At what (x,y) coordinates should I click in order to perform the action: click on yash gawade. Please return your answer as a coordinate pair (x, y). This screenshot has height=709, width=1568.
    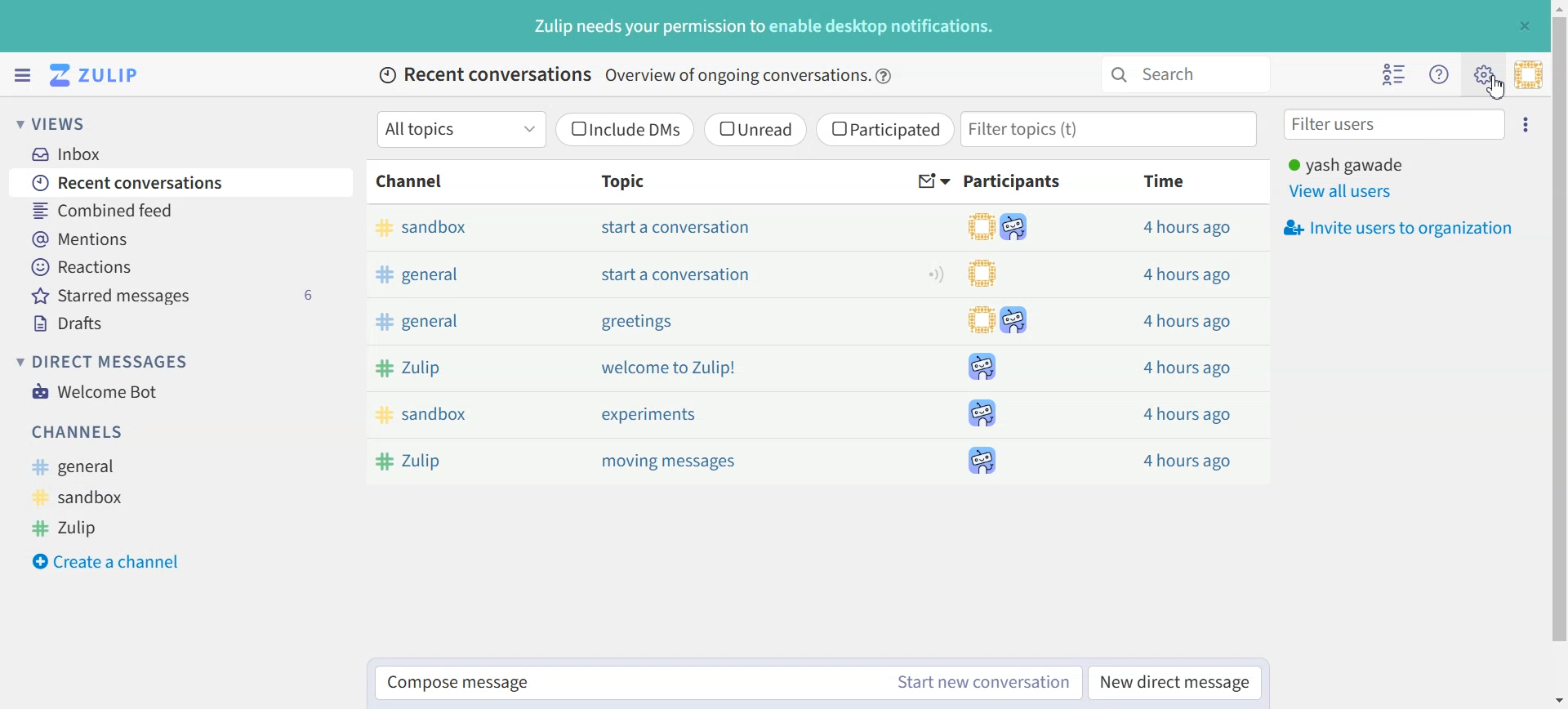
    Looking at the image, I should click on (1346, 163).